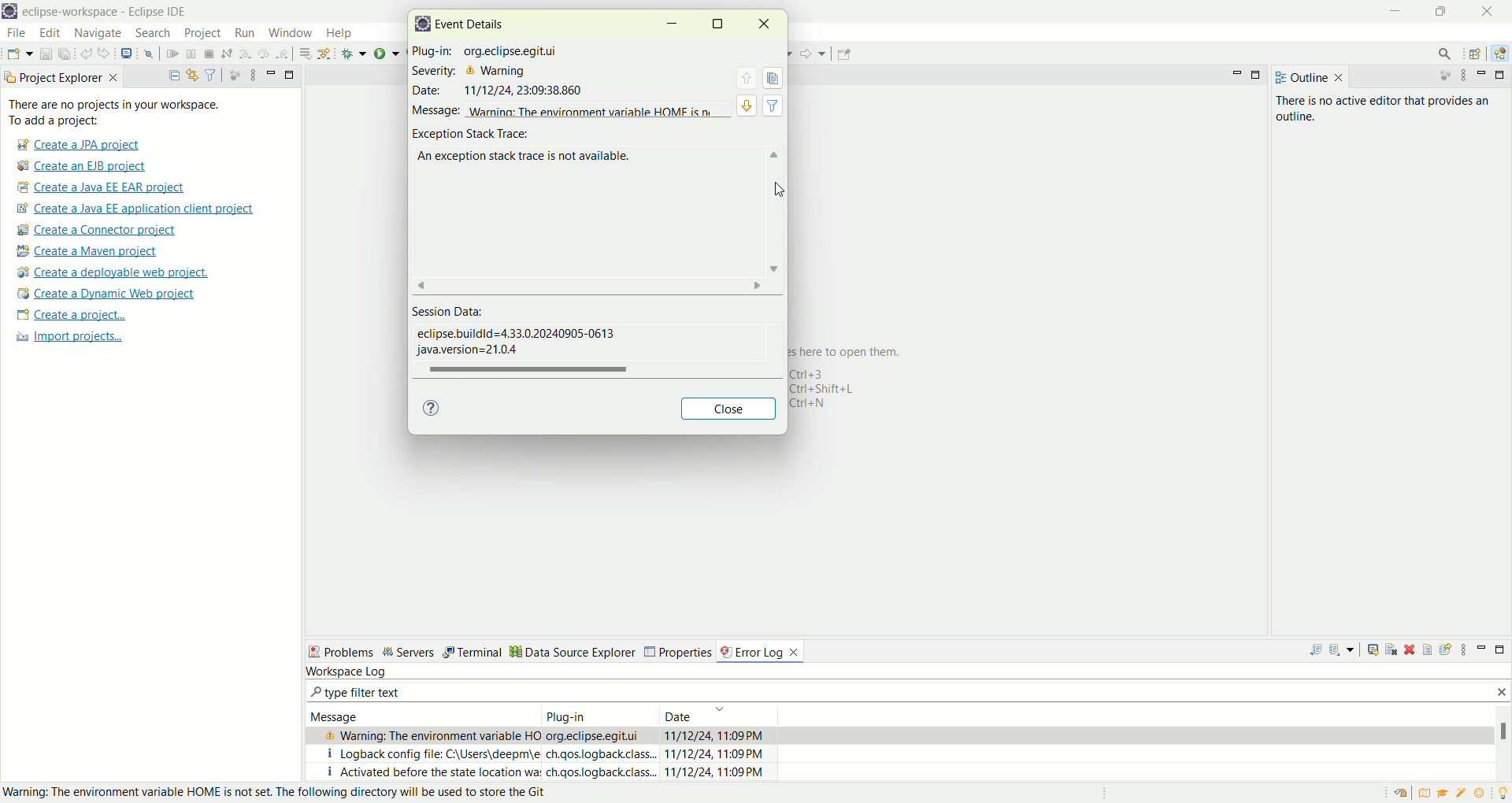 The height and width of the screenshot is (803, 1512). I want to click on help, so click(432, 408).